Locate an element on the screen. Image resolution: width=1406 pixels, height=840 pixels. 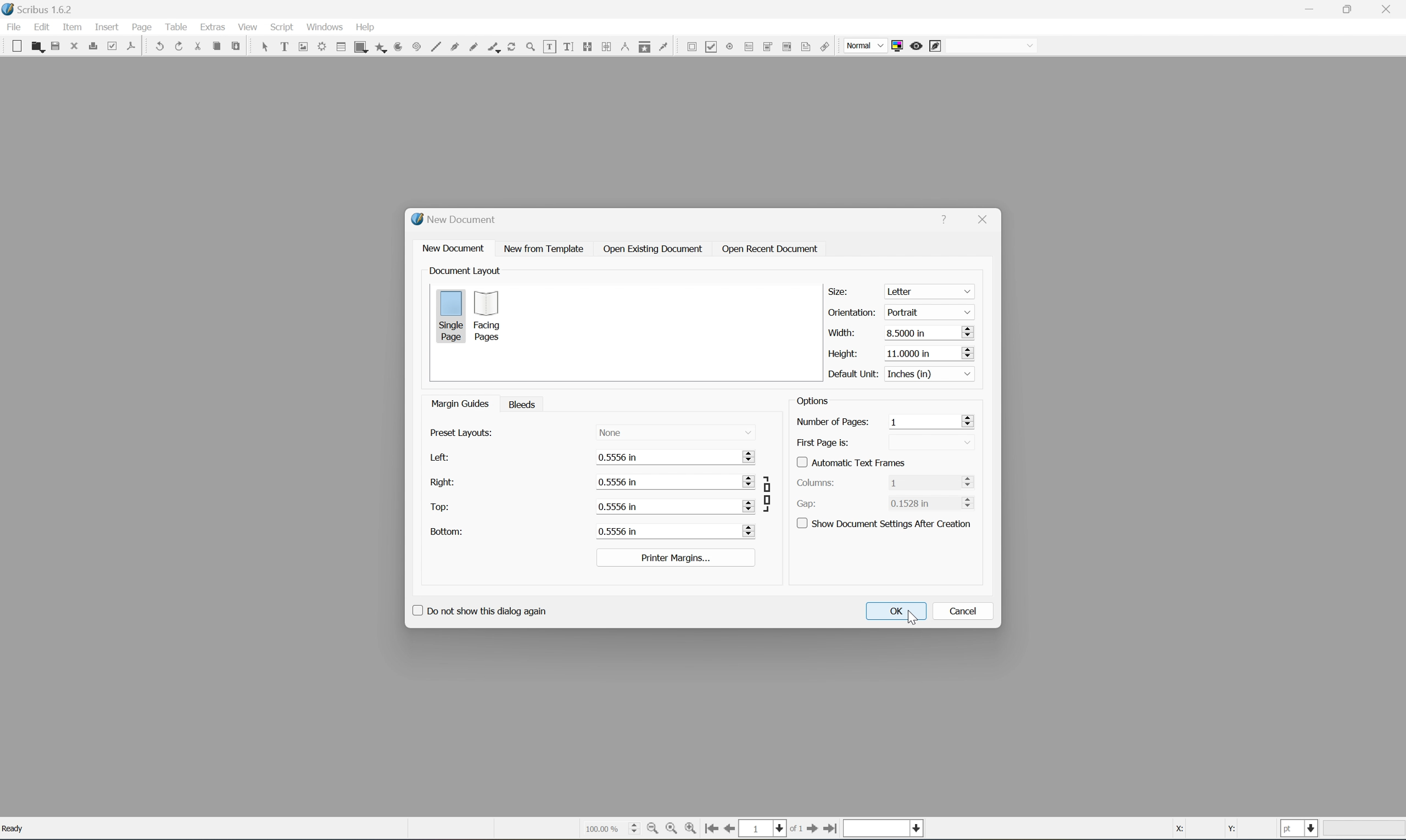
paste is located at coordinates (237, 45).